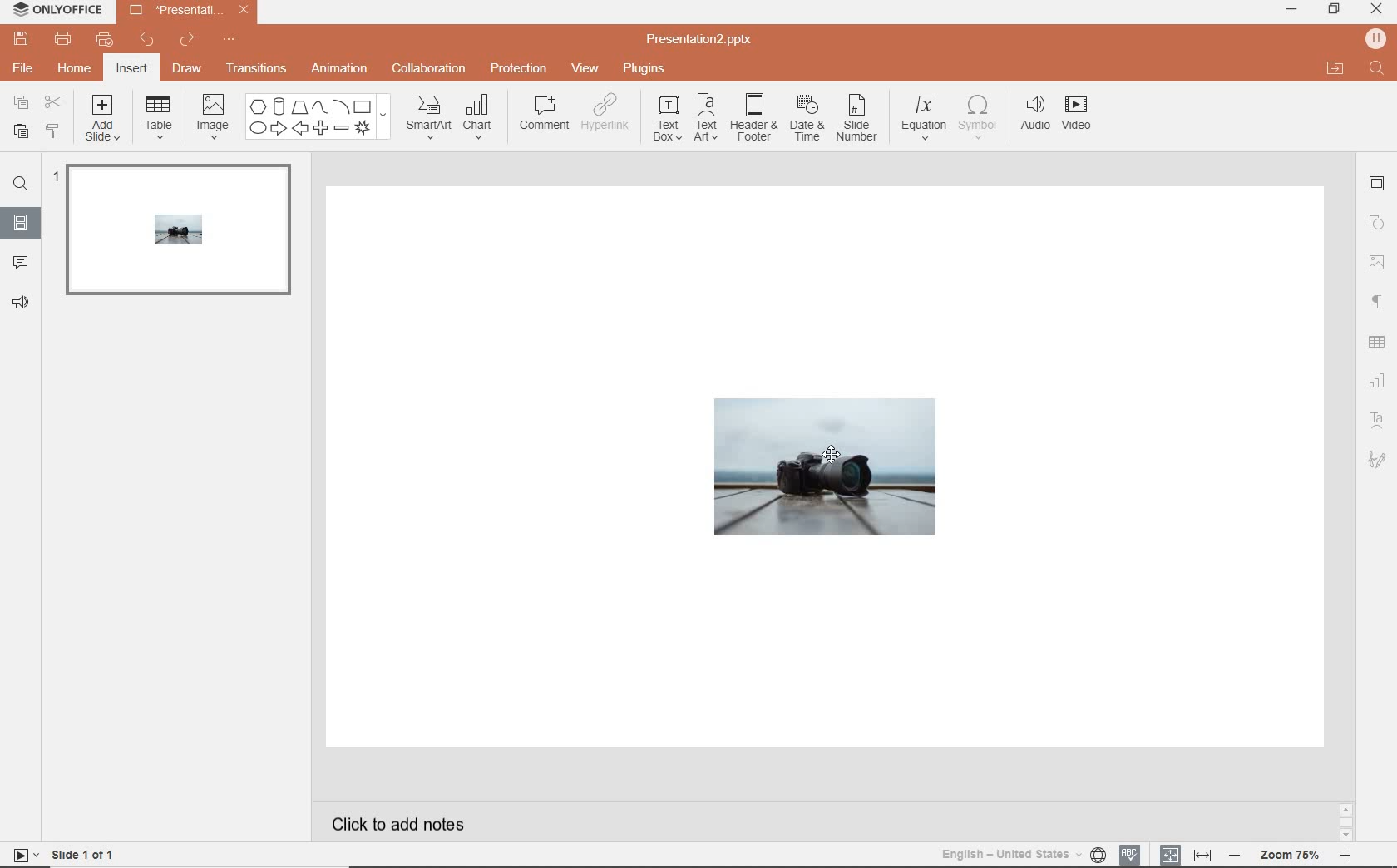 The image size is (1397, 868). I want to click on spell checking, so click(1131, 854).